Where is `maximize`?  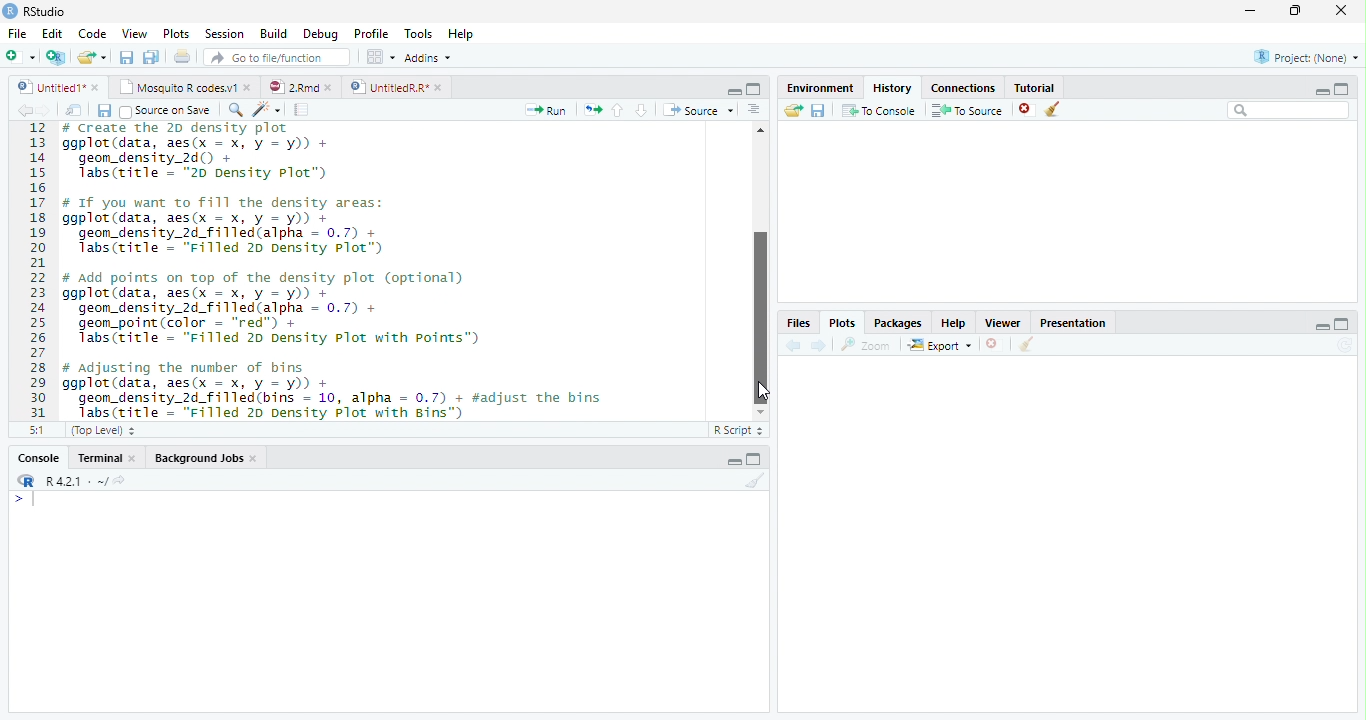 maximize is located at coordinates (1297, 10).